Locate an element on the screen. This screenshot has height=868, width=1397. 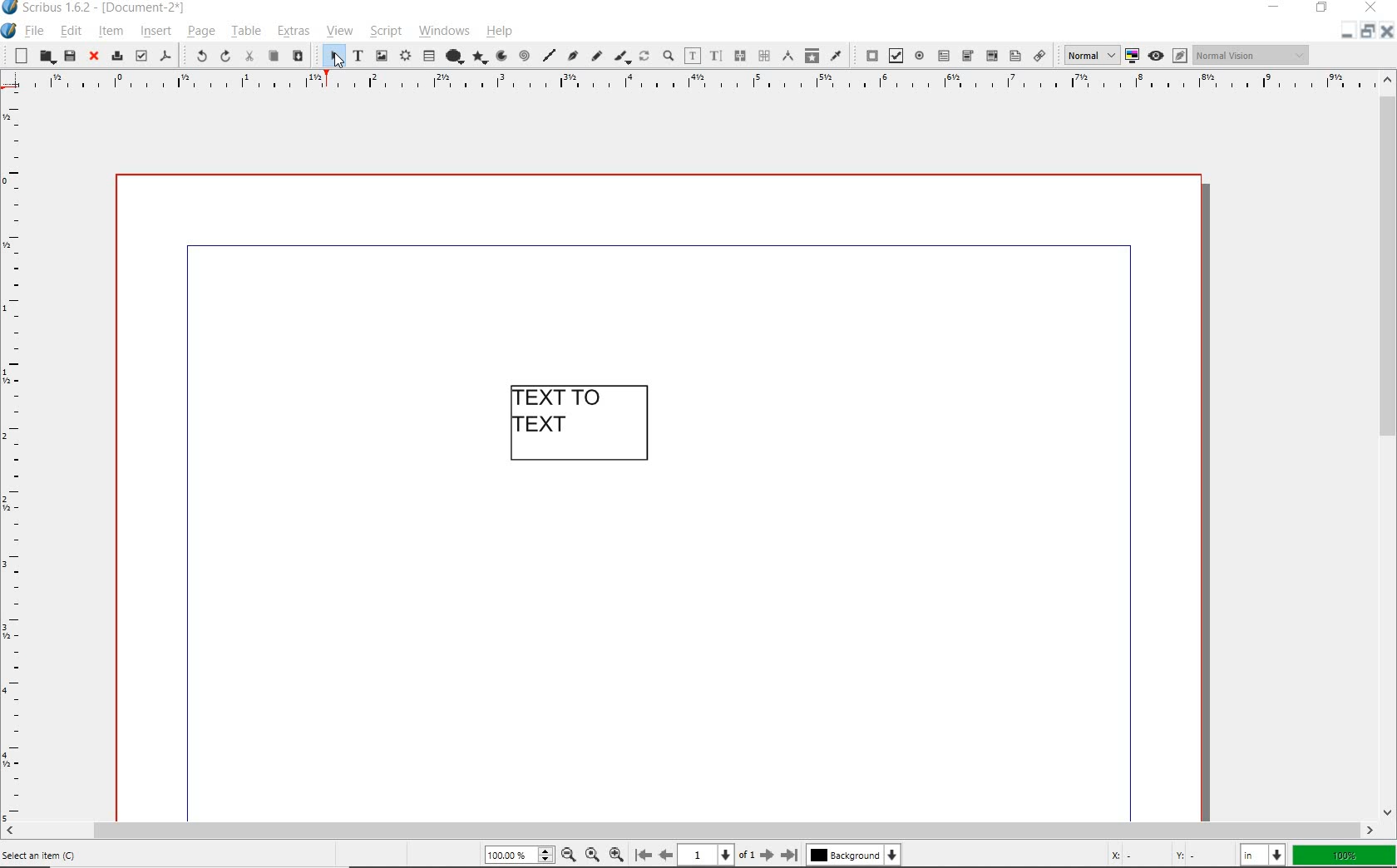
script is located at coordinates (386, 31).